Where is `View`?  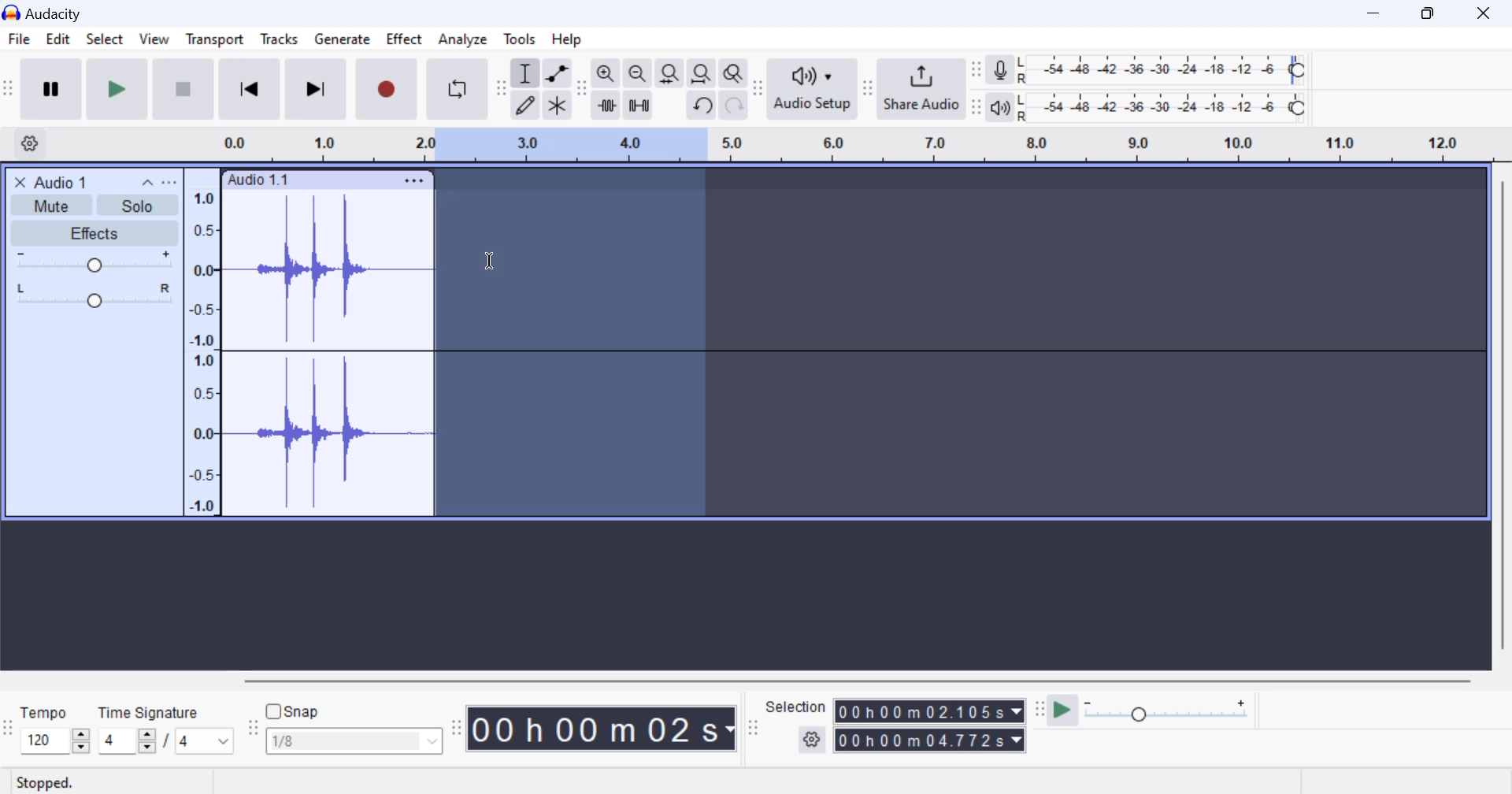
View is located at coordinates (153, 43).